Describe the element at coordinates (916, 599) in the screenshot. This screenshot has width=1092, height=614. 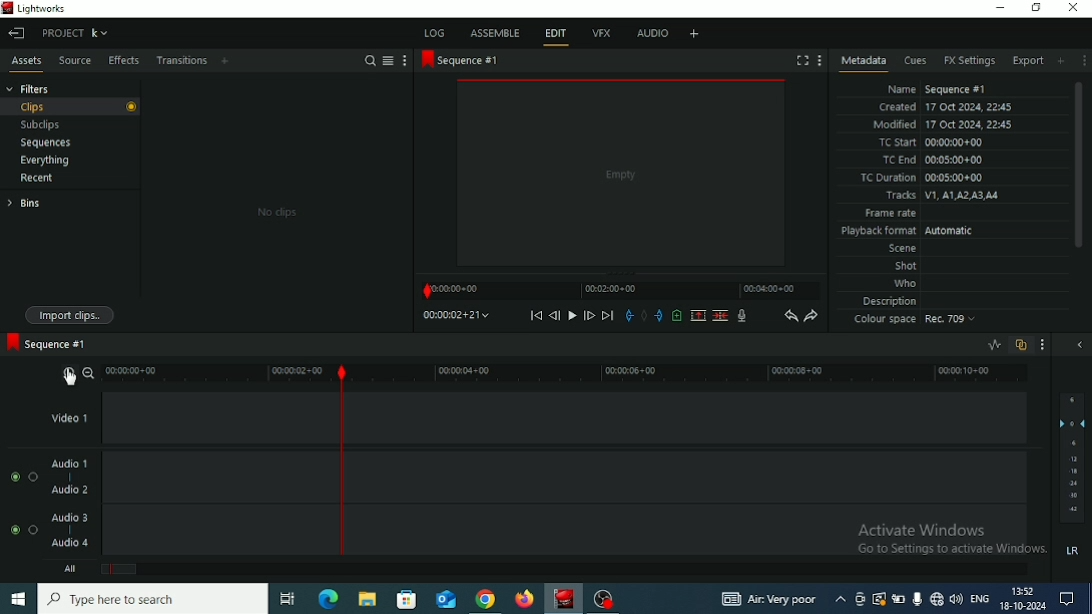
I see `Mic` at that location.